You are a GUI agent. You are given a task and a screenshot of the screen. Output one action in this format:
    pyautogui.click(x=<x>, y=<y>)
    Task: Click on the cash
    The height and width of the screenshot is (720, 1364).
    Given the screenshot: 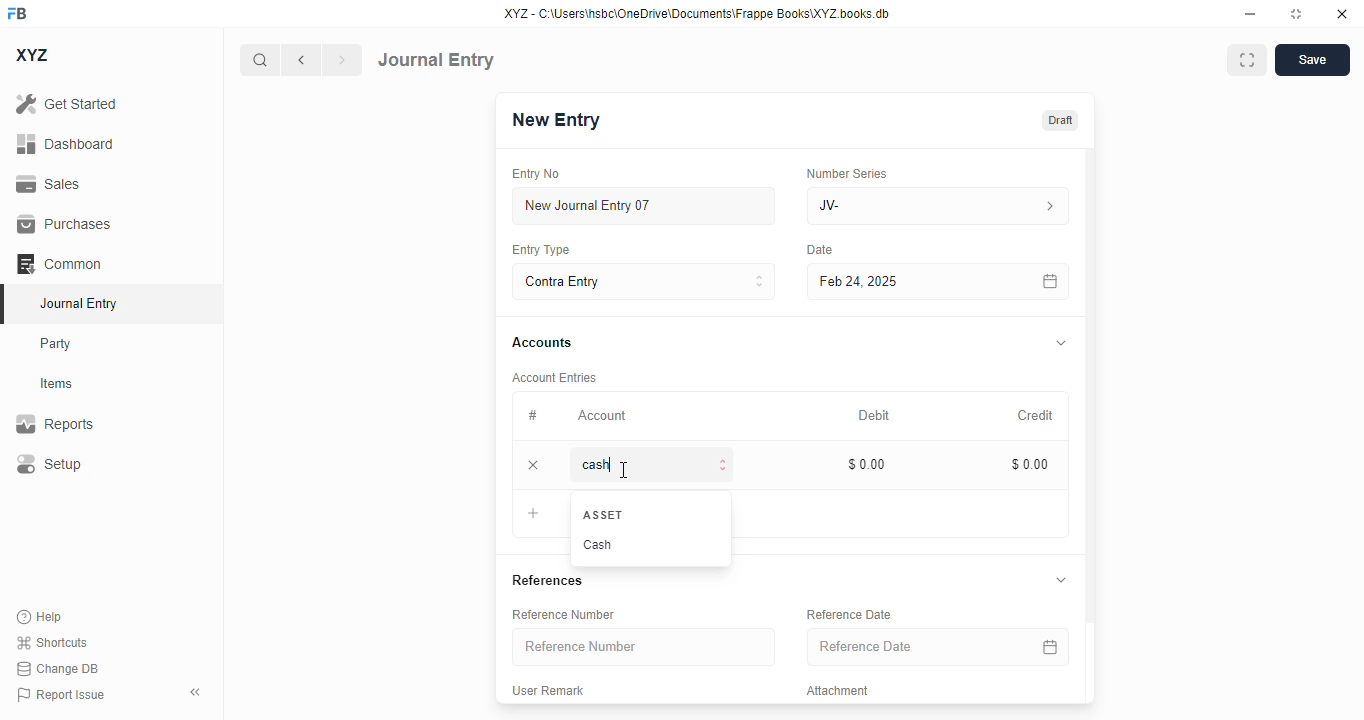 What is the action you would take?
    pyautogui.click(x=600, y=544)
    